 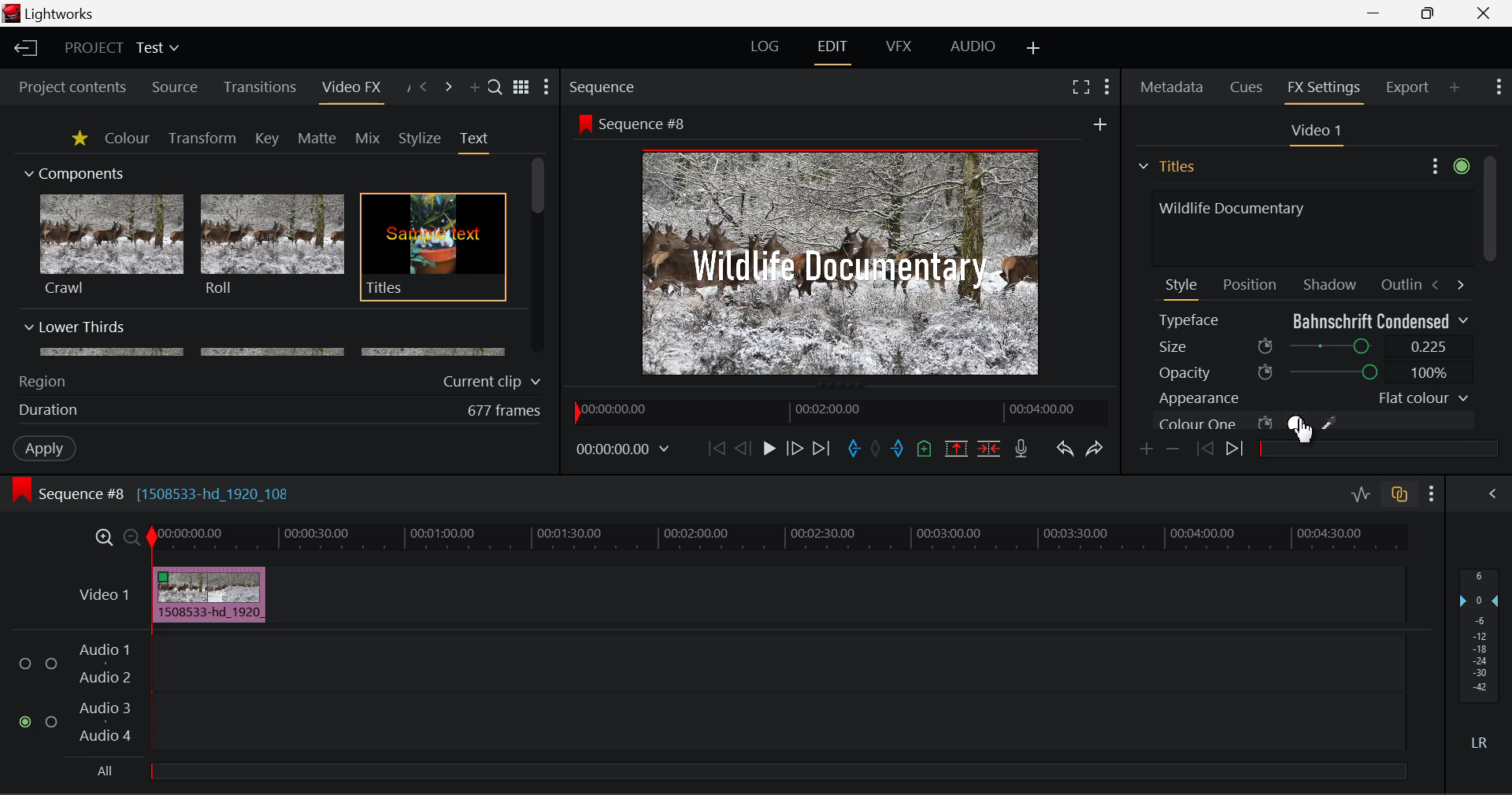 What do you see at coordinates (844, 265) in the screenshot?
I see `Text Size Updated in Preview` at bounding box center [844, 265].